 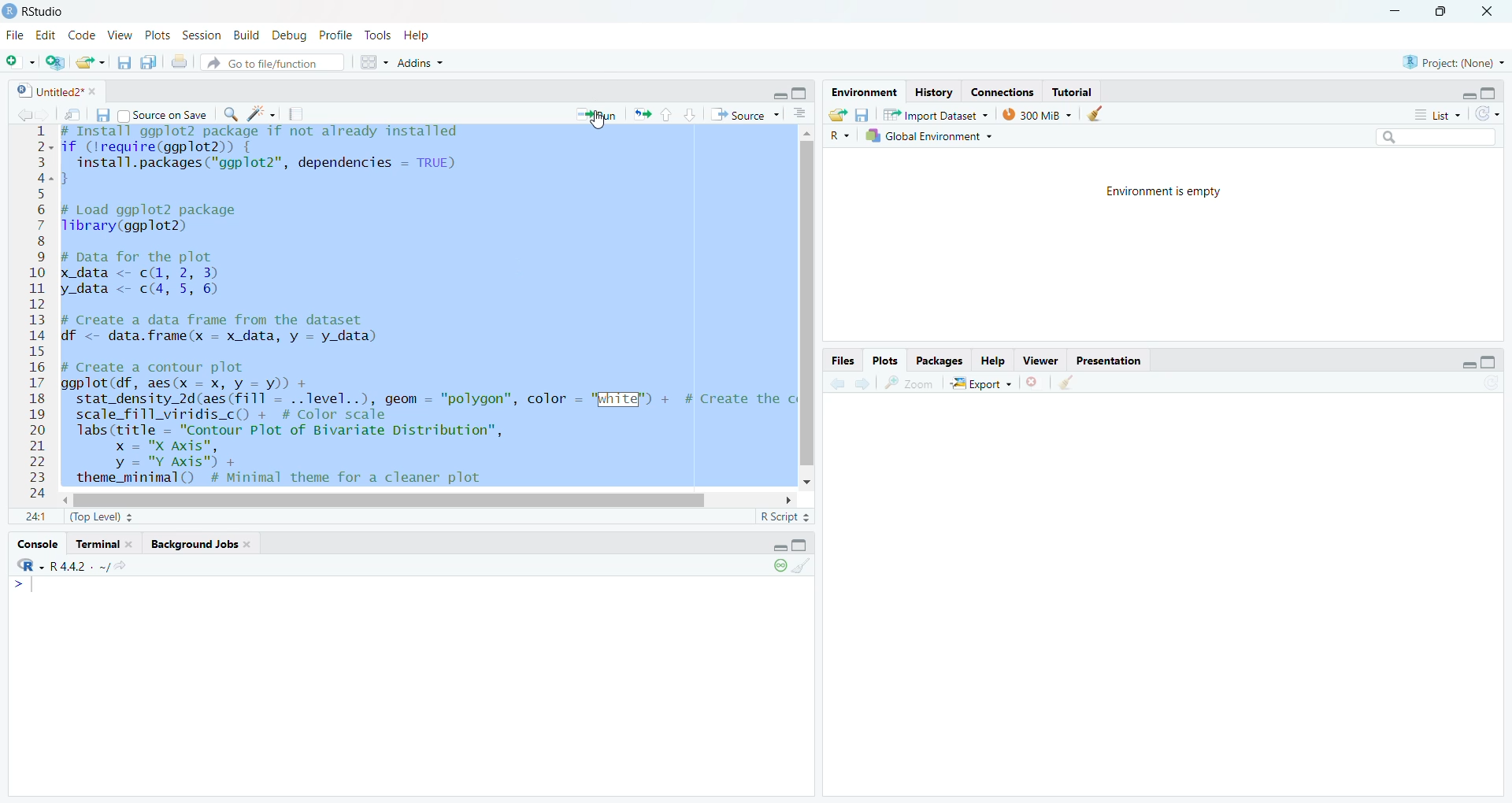 I want to click on compile reports, so click(x=296, y=115).